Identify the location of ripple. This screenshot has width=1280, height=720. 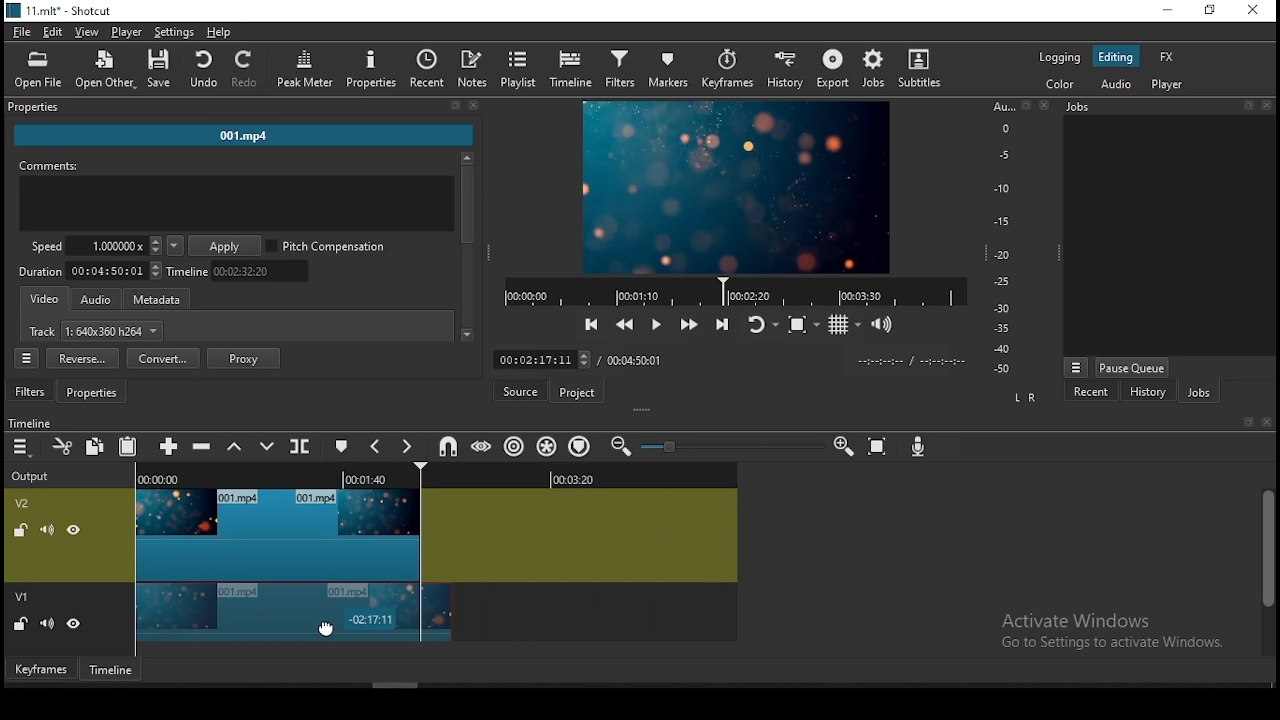
(515, 446).